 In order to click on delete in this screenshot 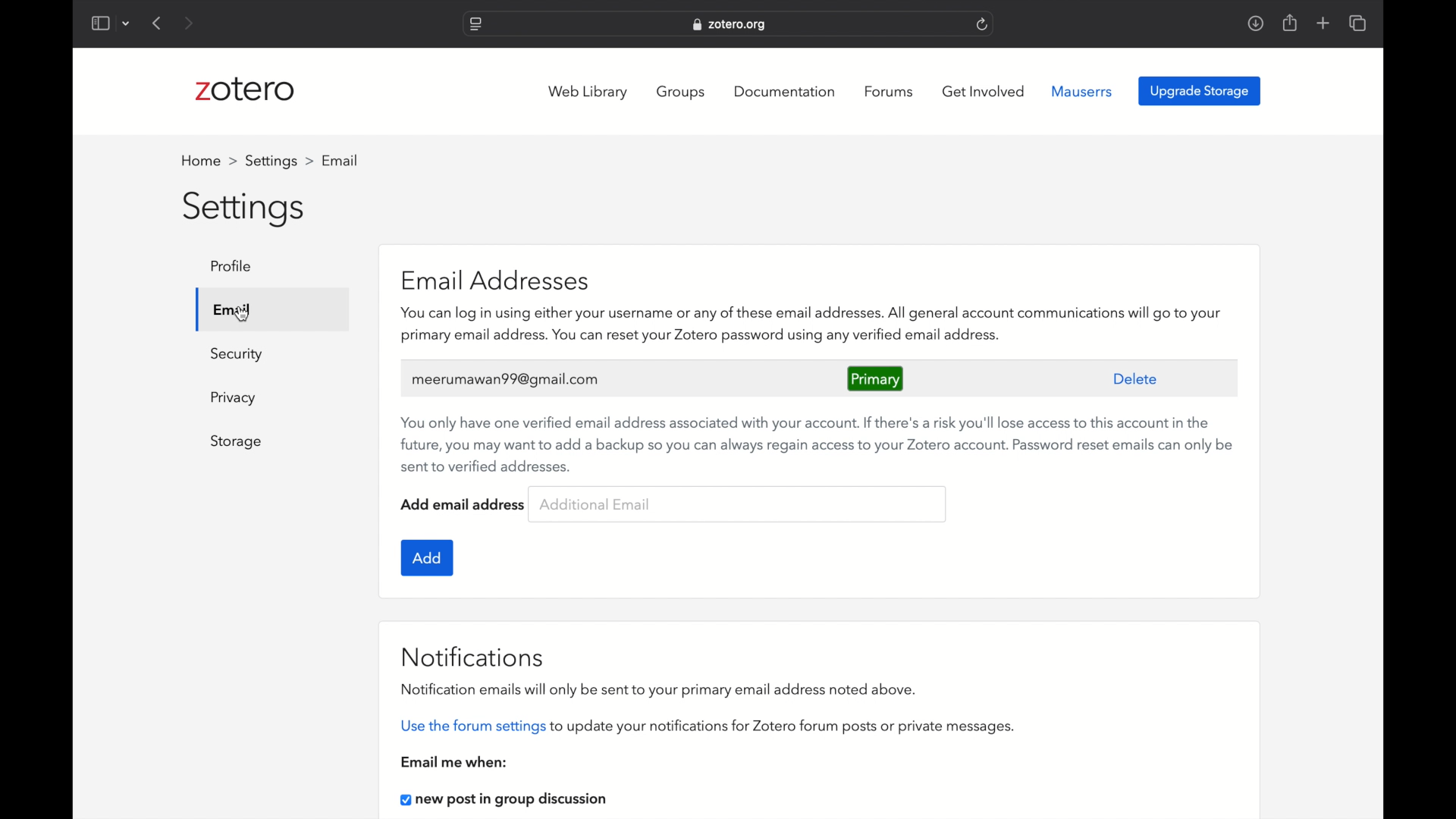, I will do `click(1137, 378)`.